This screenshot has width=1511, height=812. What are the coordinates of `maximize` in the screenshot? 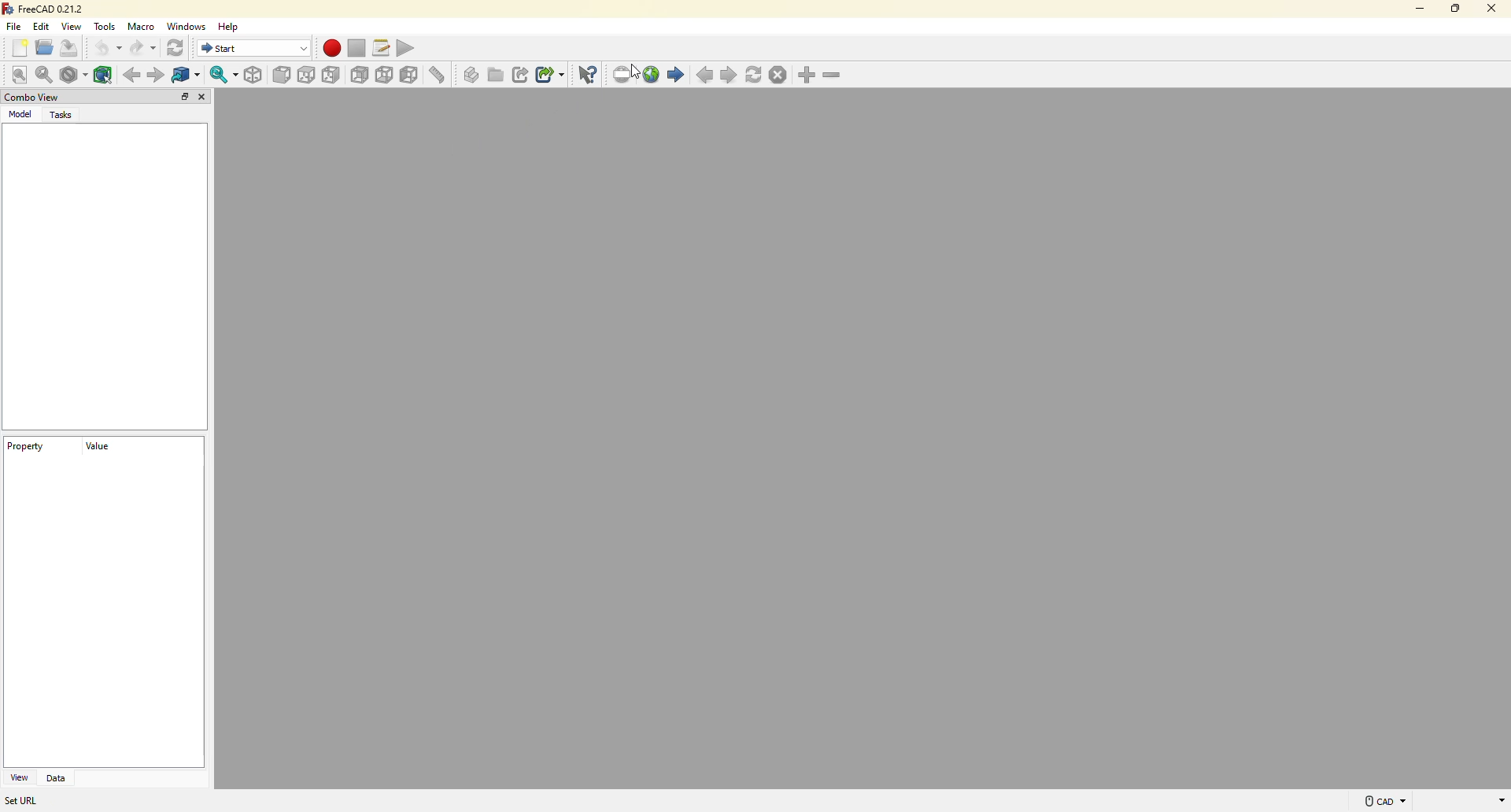 It's located at (1454, 8).